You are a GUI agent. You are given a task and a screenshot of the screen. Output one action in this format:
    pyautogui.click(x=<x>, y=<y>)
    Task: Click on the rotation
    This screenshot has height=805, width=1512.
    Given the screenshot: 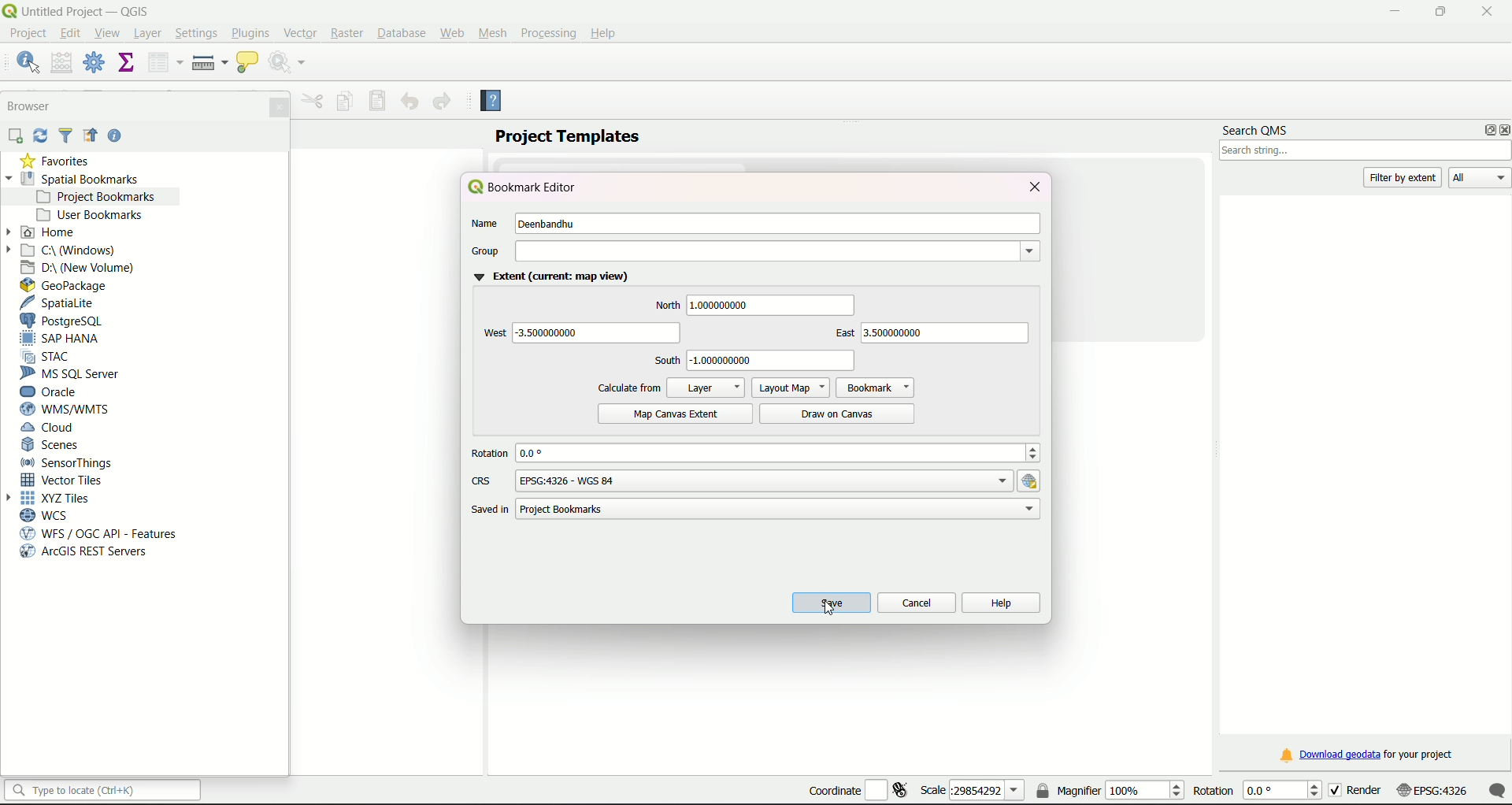 What is the action you would take?
    pyautogui.click(x=1259, y=790)
    